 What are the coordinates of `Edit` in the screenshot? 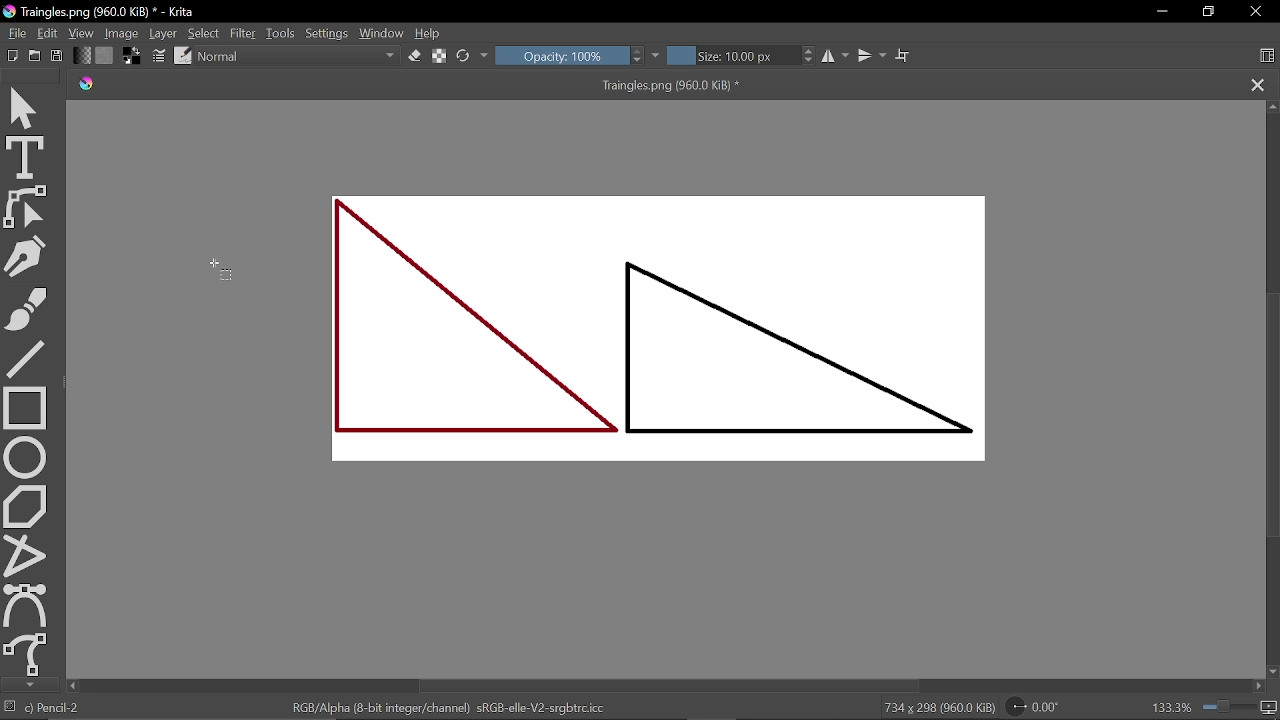 It's located at (50, 33).